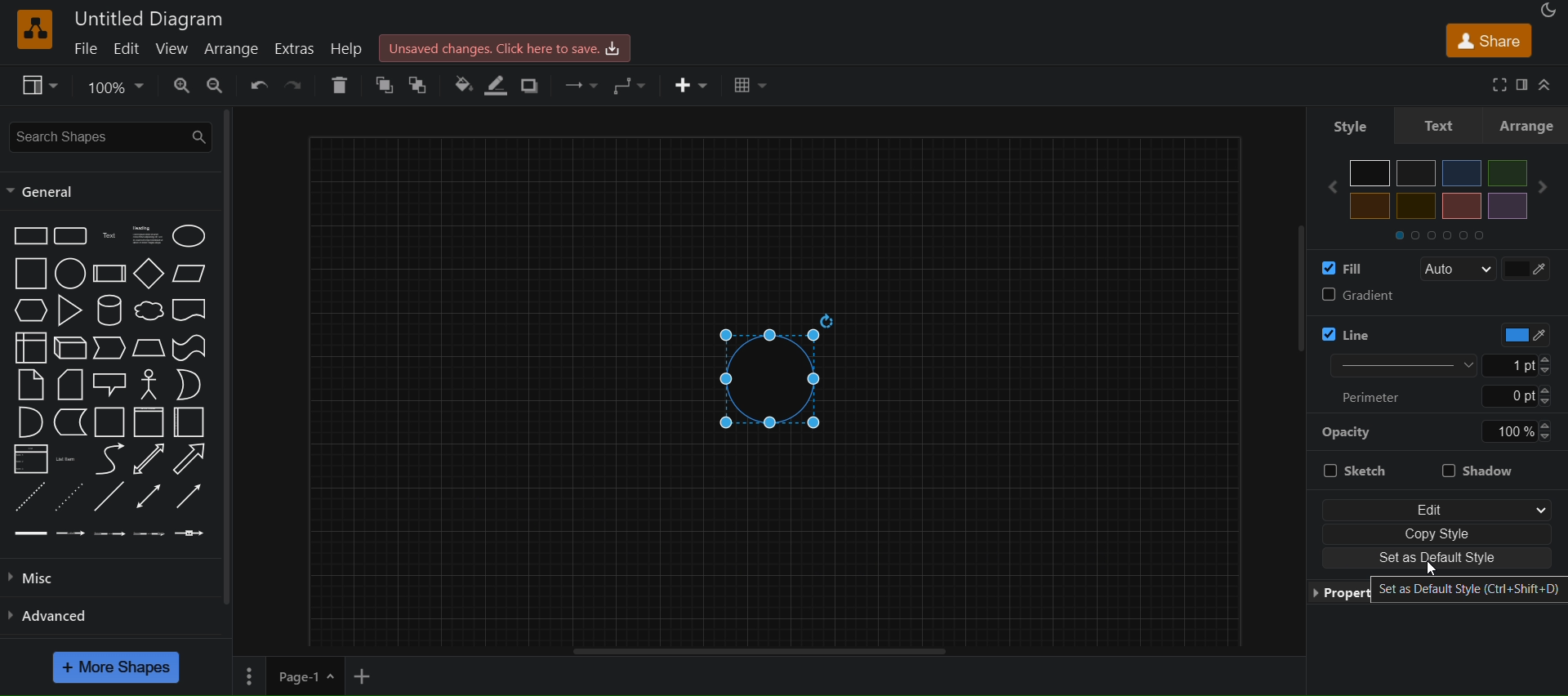 The height and width of the screenshot is (696, 1568). What do you see at coordinates (1462, 173) in the screenshot?
I see `blue color` at bounding box center [1462, 173].